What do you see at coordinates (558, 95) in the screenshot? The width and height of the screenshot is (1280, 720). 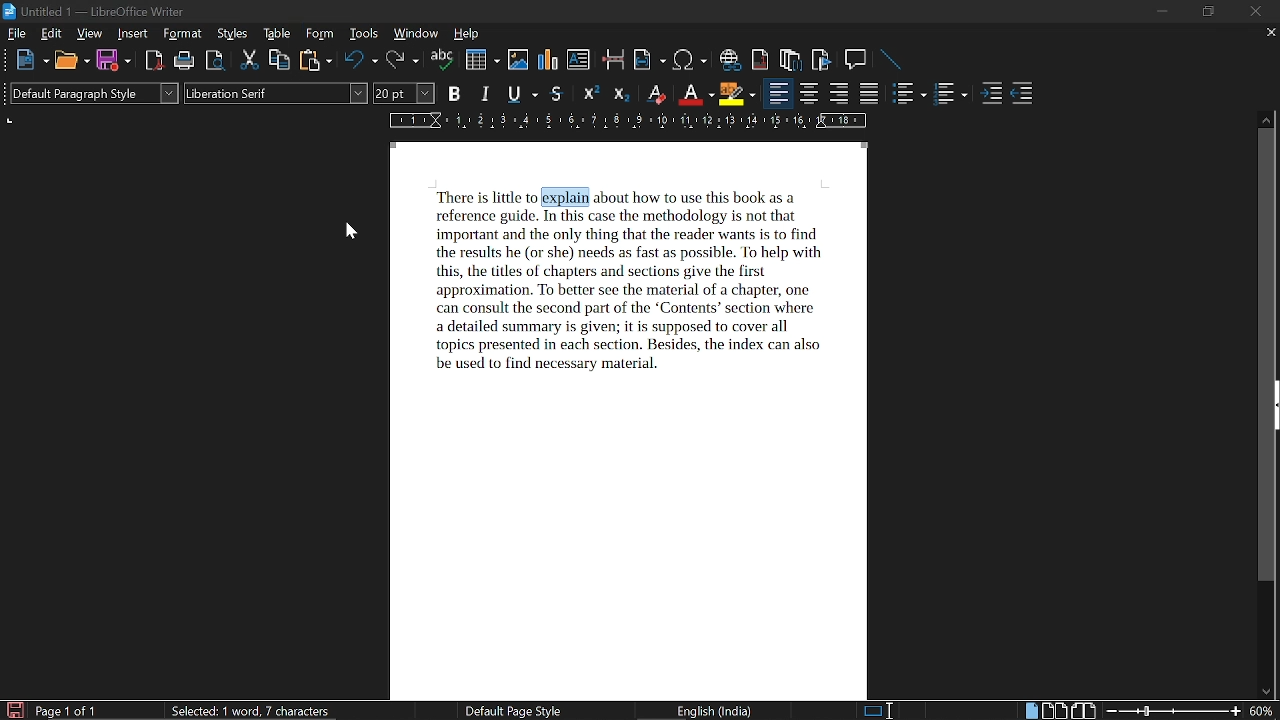 I see `strikethrough` at bounding box center [558, 95].